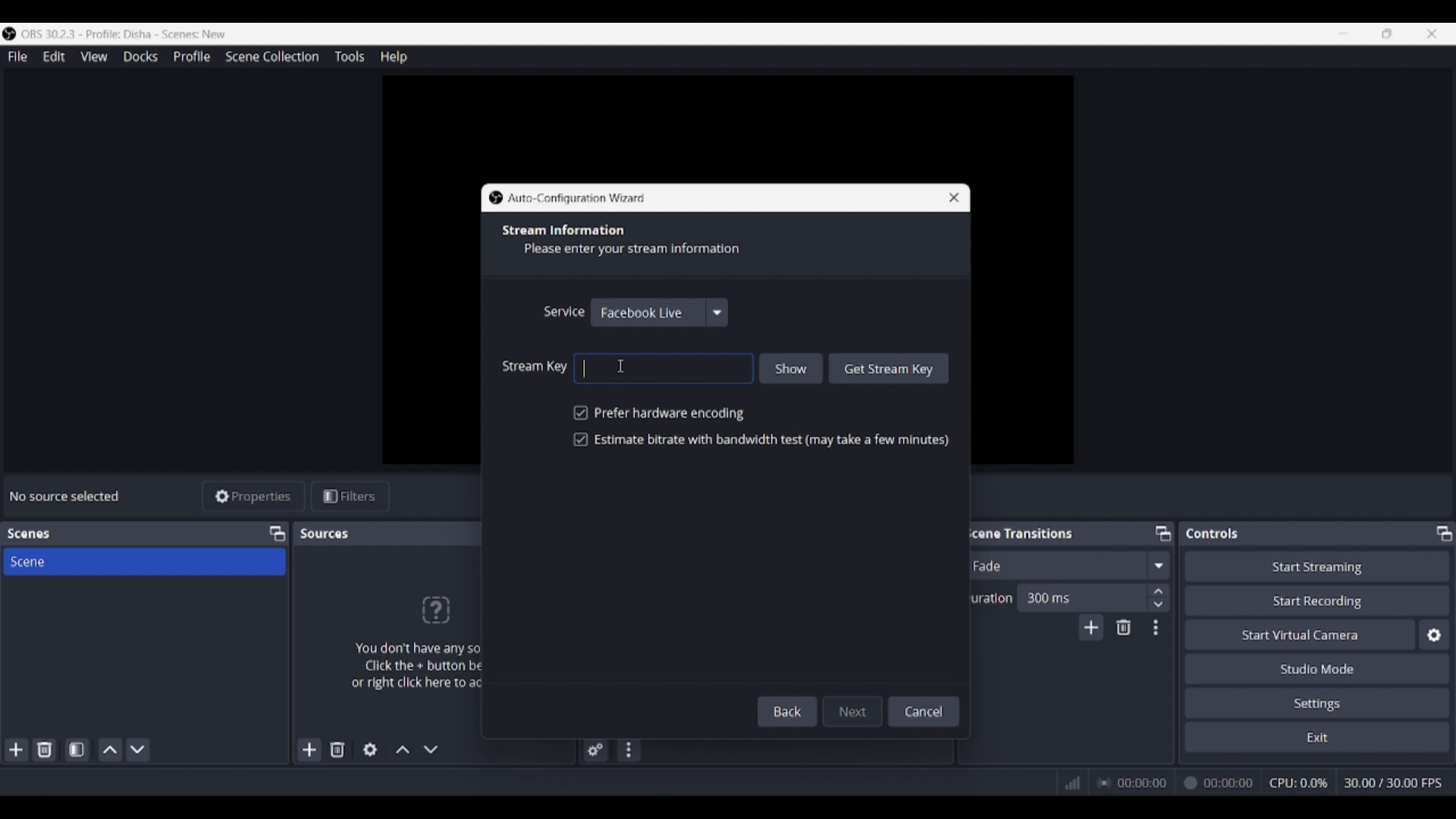  What do you see at coordinates (137, 750) in the screenshot?
I see `Move scene down` at bounding box center [137, 750].